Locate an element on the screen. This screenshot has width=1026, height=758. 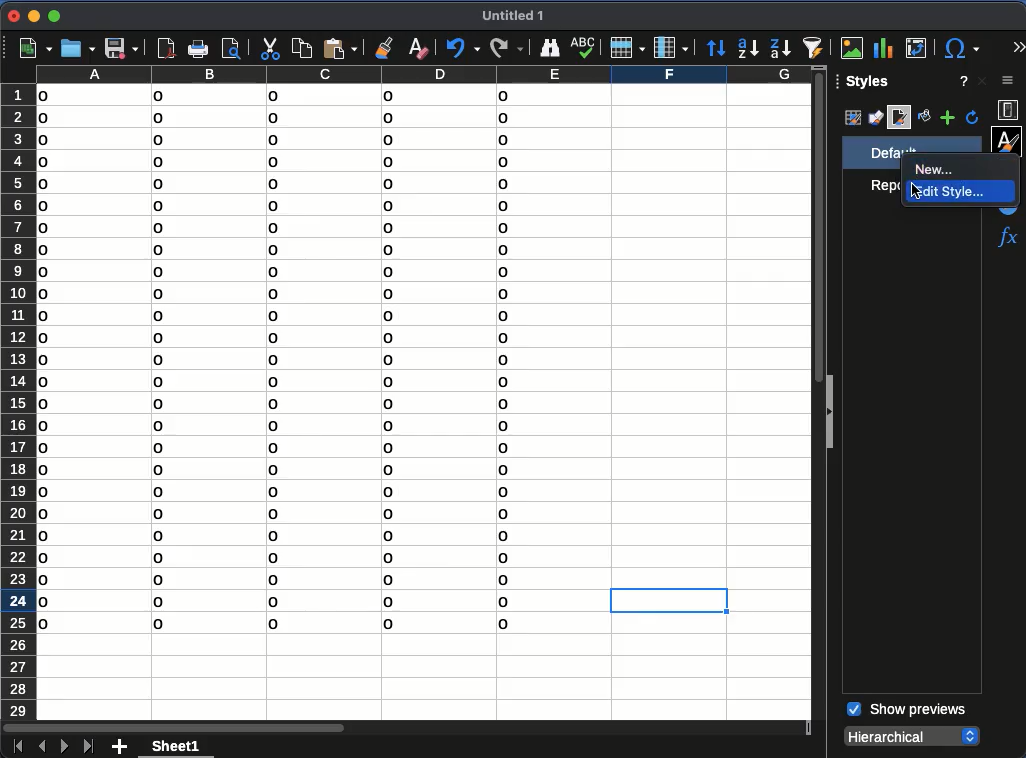
first sheet is located at coordinates (15, 745).